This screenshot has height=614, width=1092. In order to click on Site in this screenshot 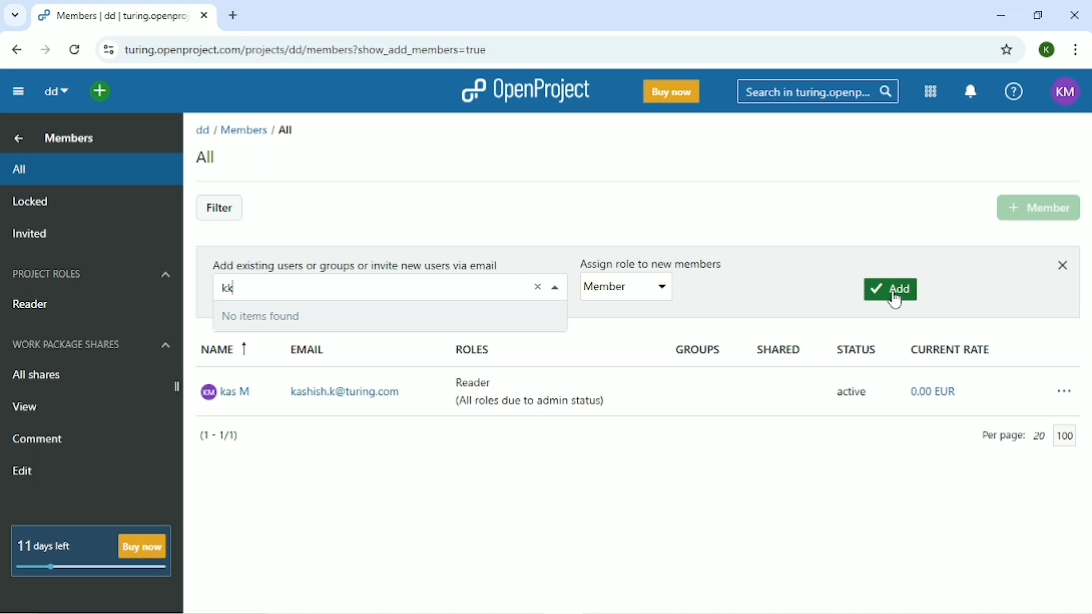, I will do `click(306, 50)`.